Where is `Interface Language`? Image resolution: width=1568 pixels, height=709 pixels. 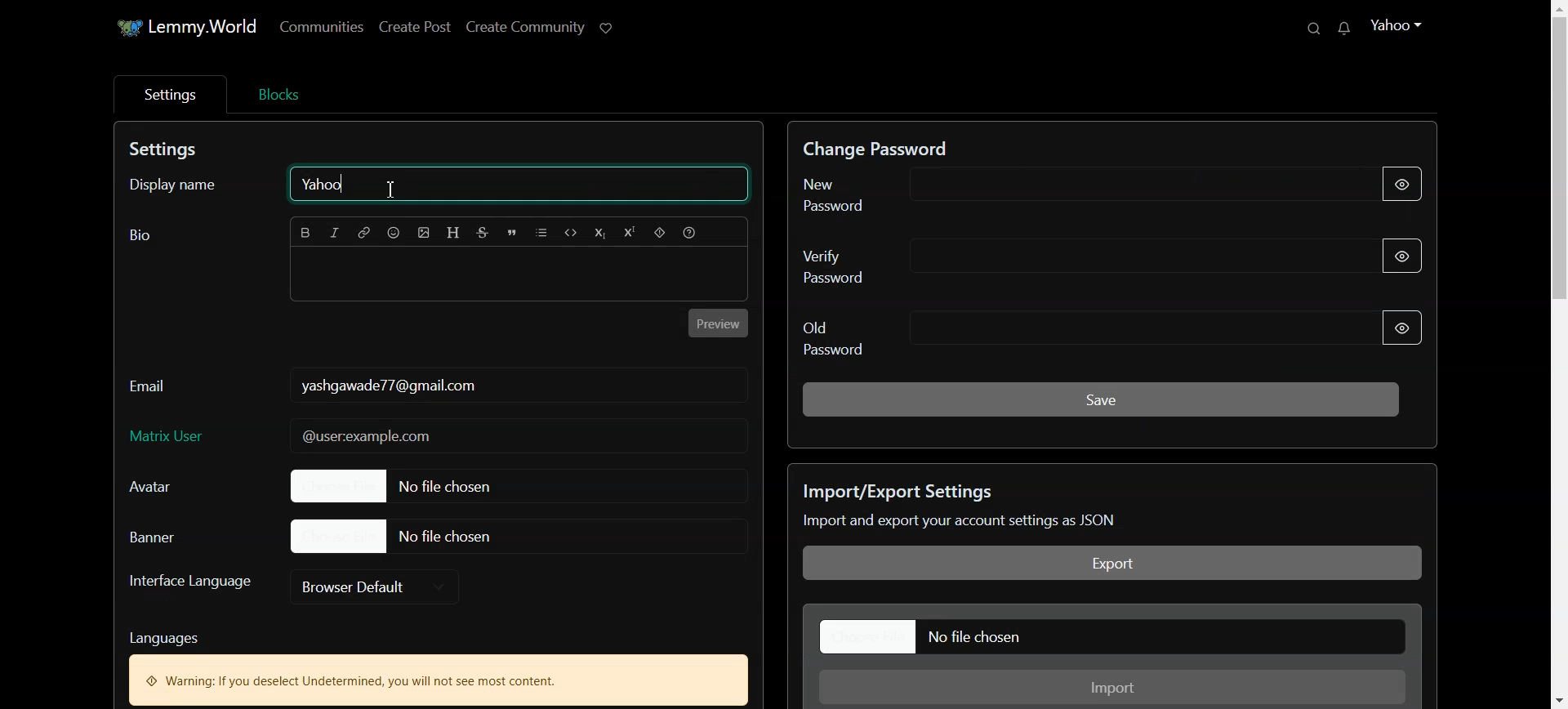 Interface Language is located at coordinates (189, 587).